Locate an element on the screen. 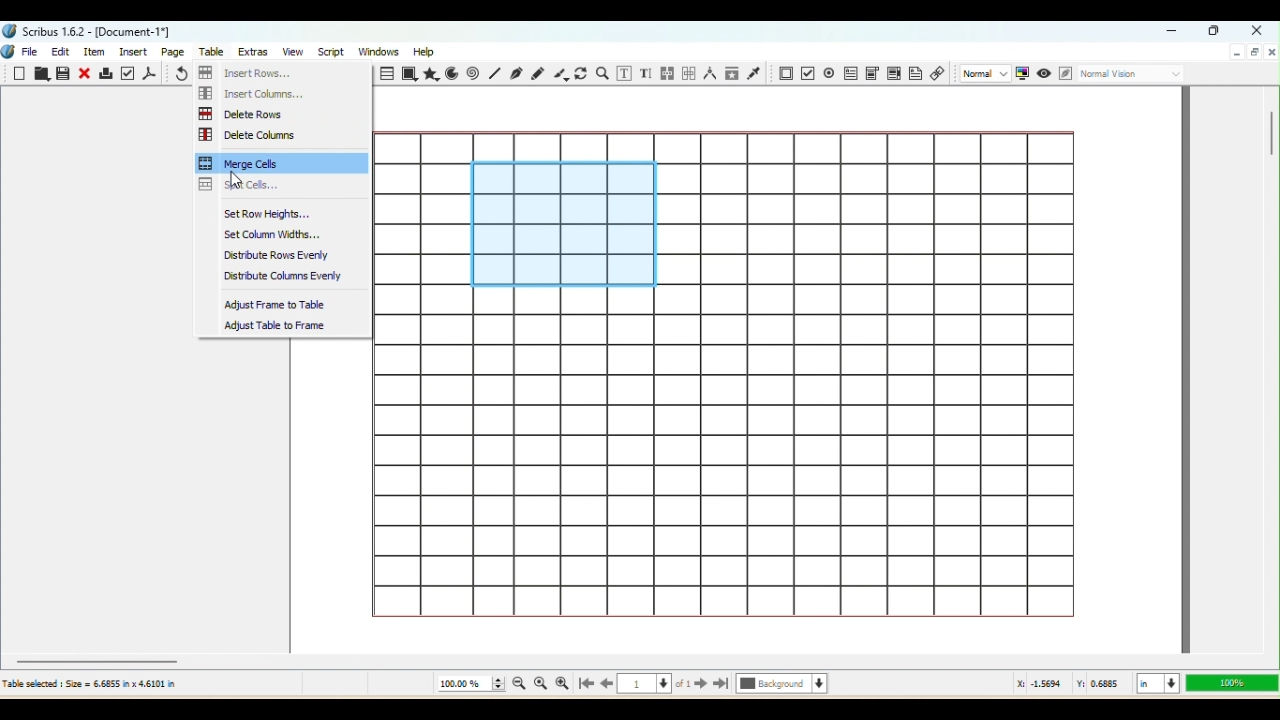 This screenshot has height=720, width=1280. Edit is located at coordinates (60, 52).